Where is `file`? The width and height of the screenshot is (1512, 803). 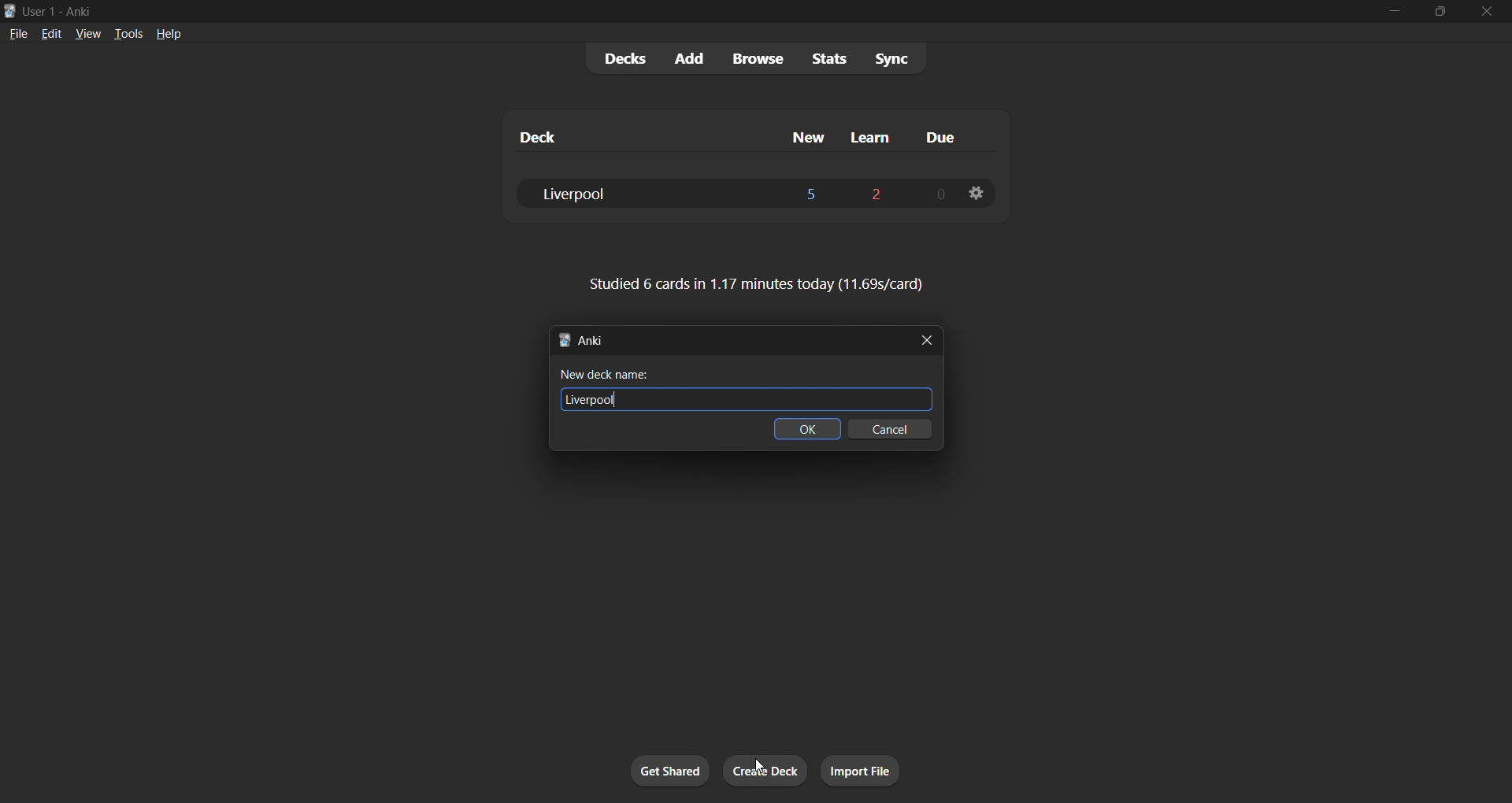
file is located at coordinates (14, 37).